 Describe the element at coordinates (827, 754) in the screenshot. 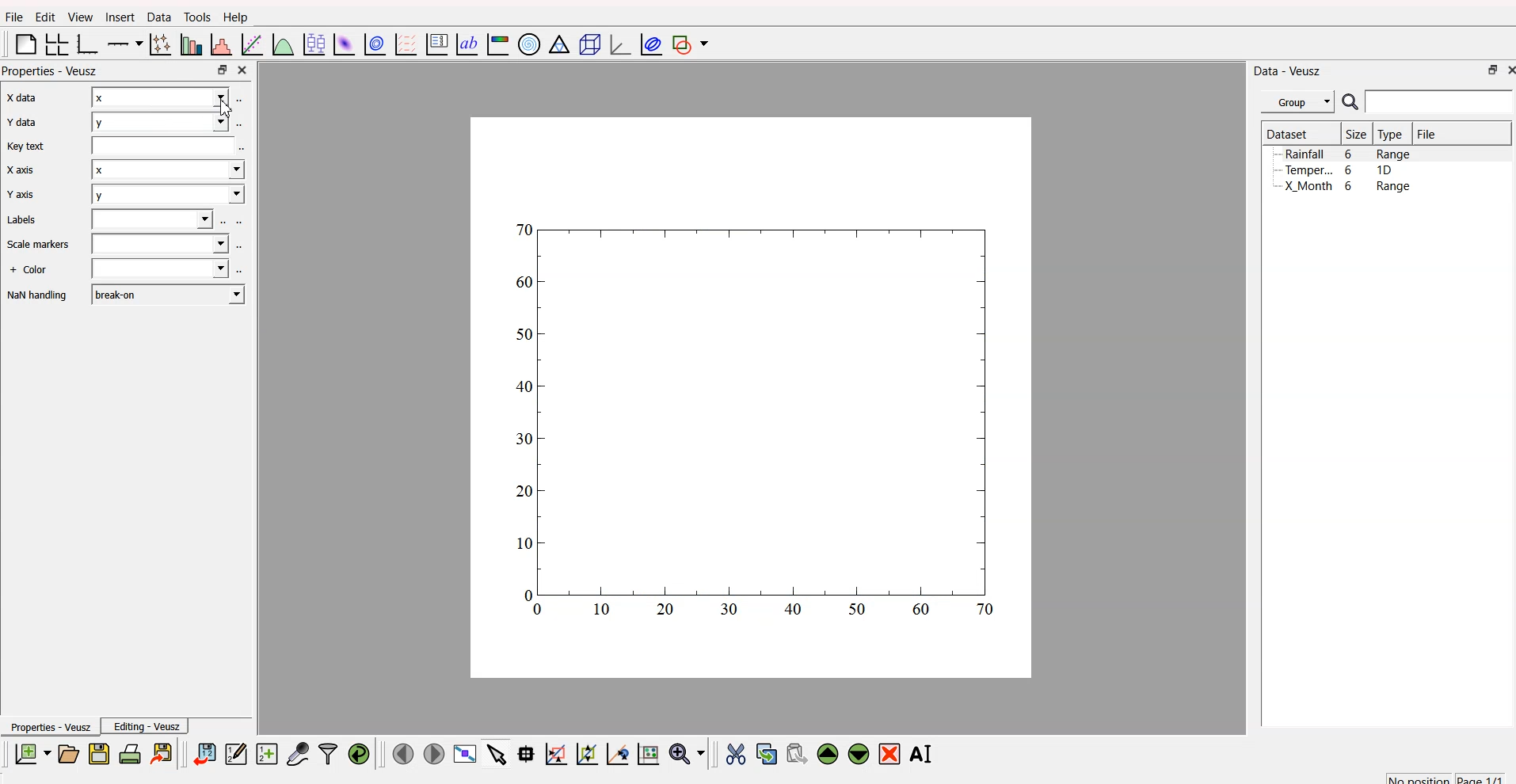

I see `move up the widget` at that location.